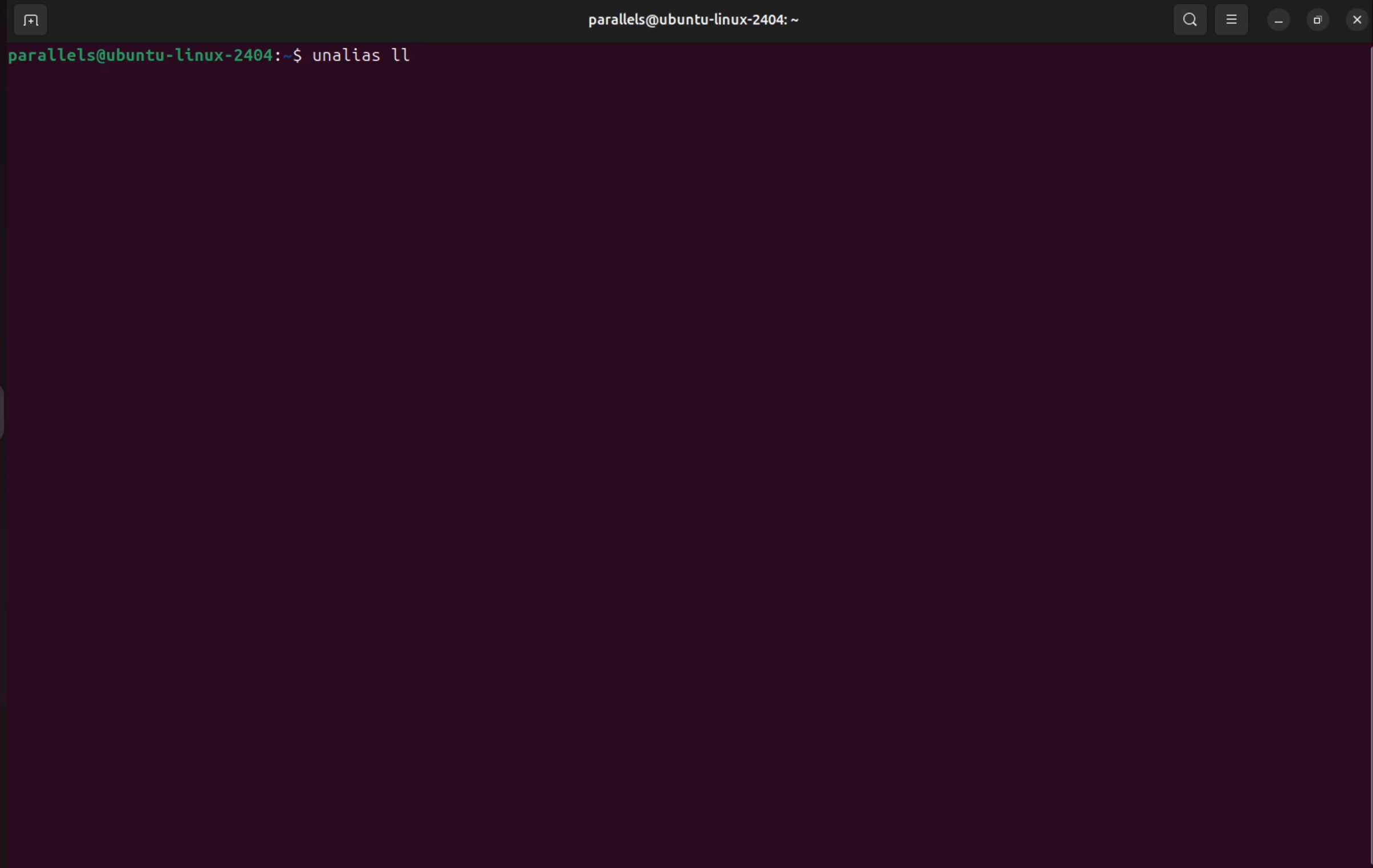  Describe the element at coordinates (363, 55) in the screenshot. I see `unalias ll` at that location.